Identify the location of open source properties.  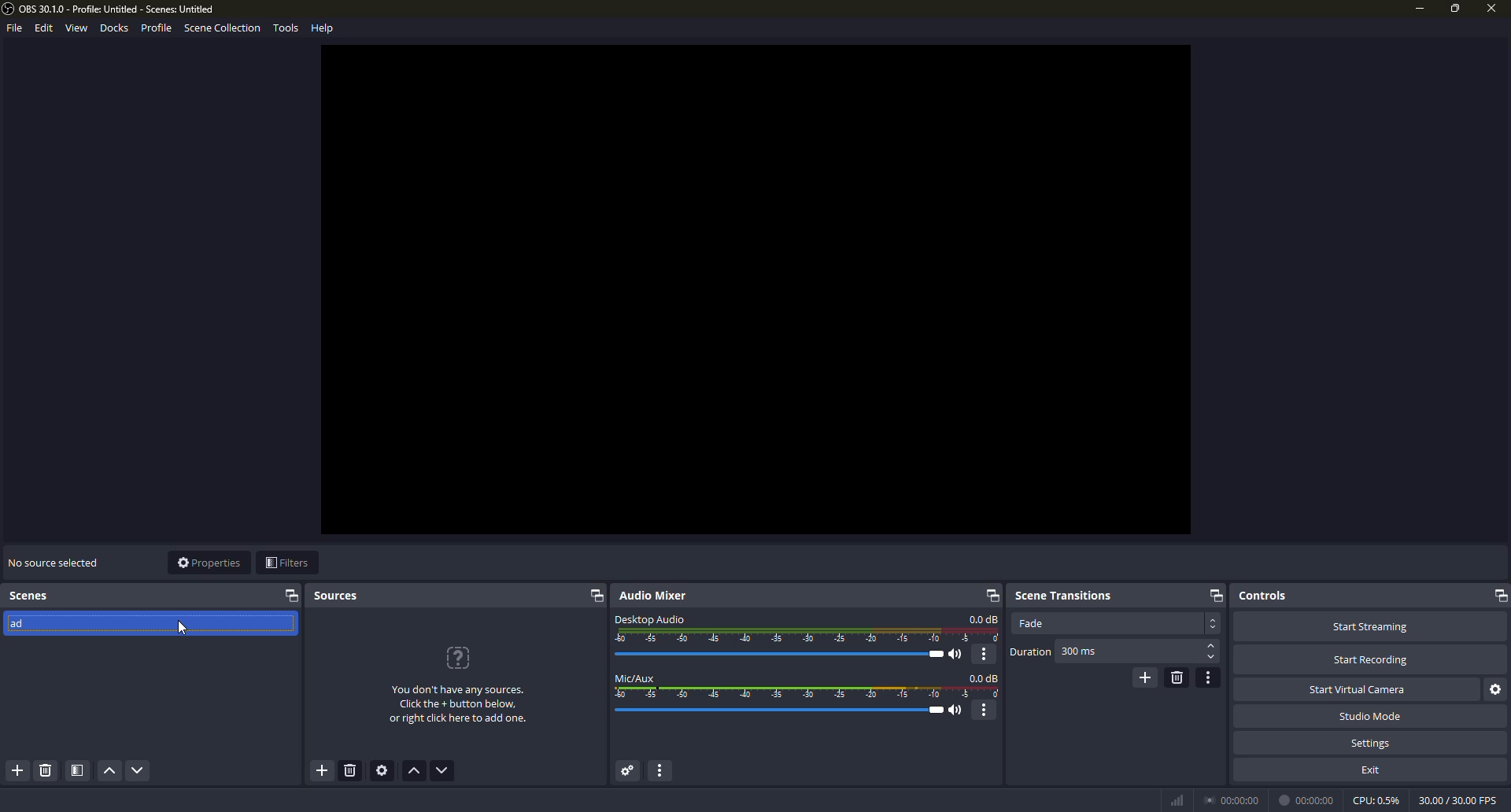
(385, 771).